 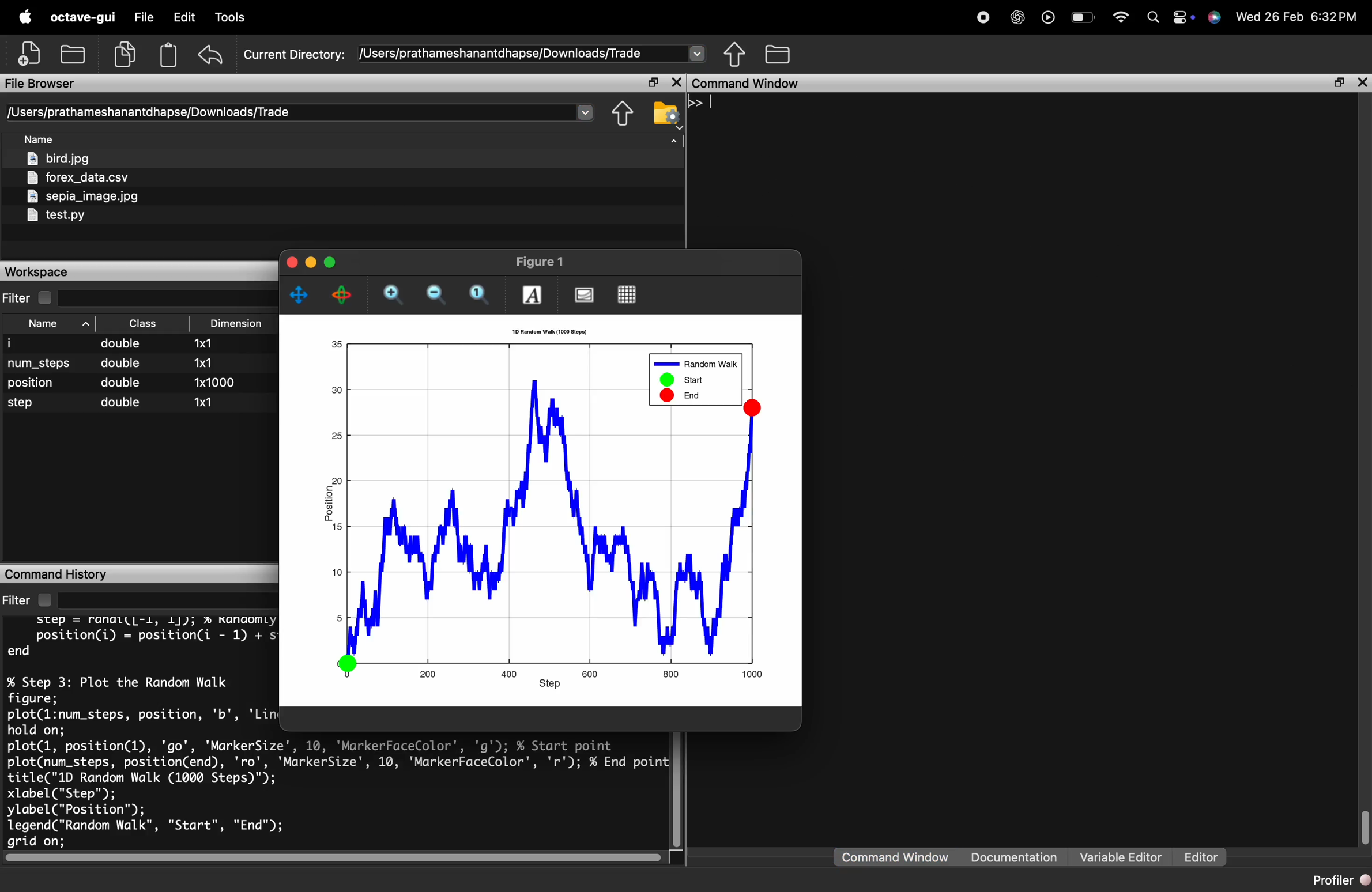 I want to click on current directory, so click(x=301, y=112).